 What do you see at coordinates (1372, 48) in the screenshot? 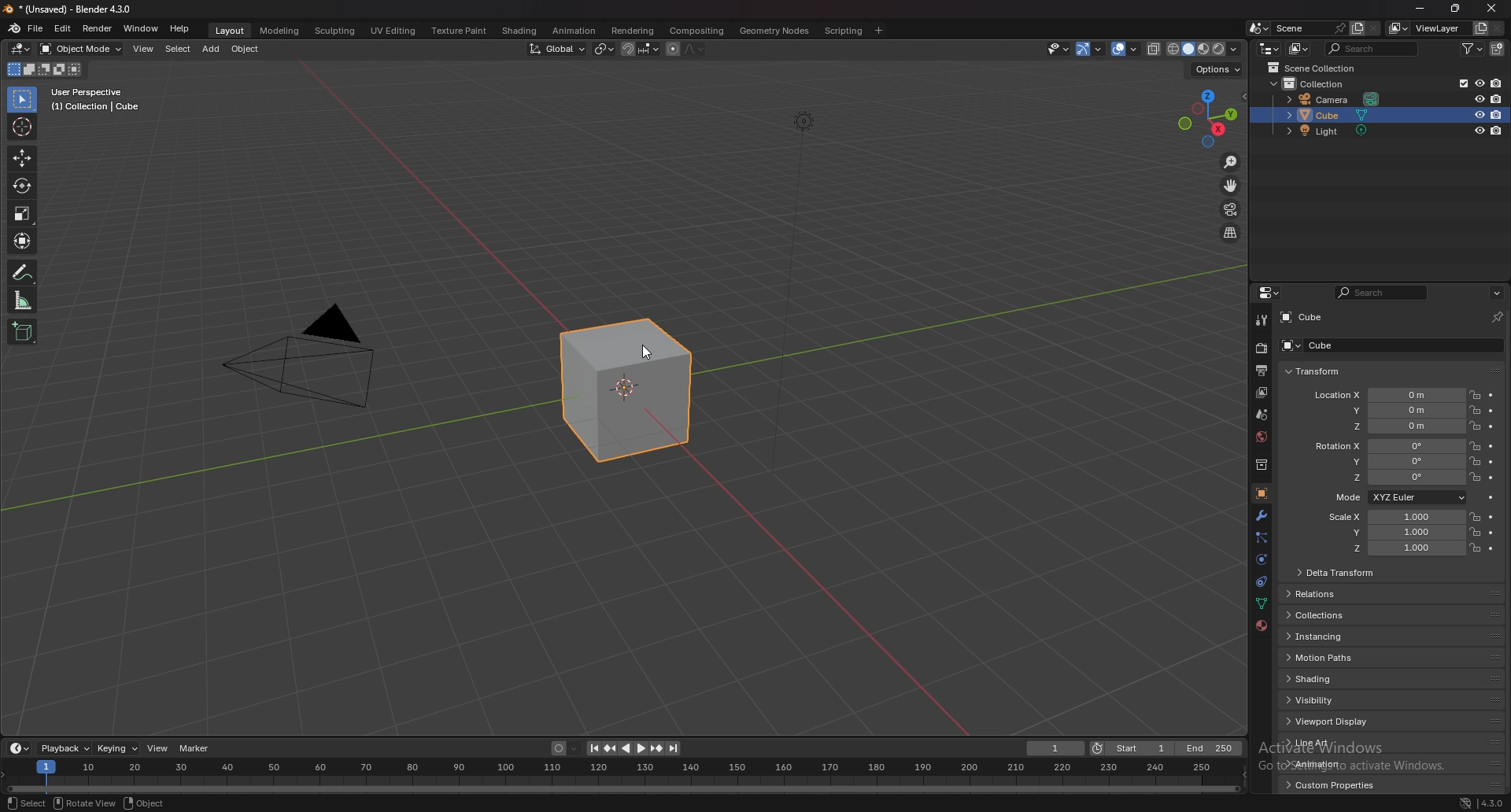
I see `search` at bounding box center [1372, 48].